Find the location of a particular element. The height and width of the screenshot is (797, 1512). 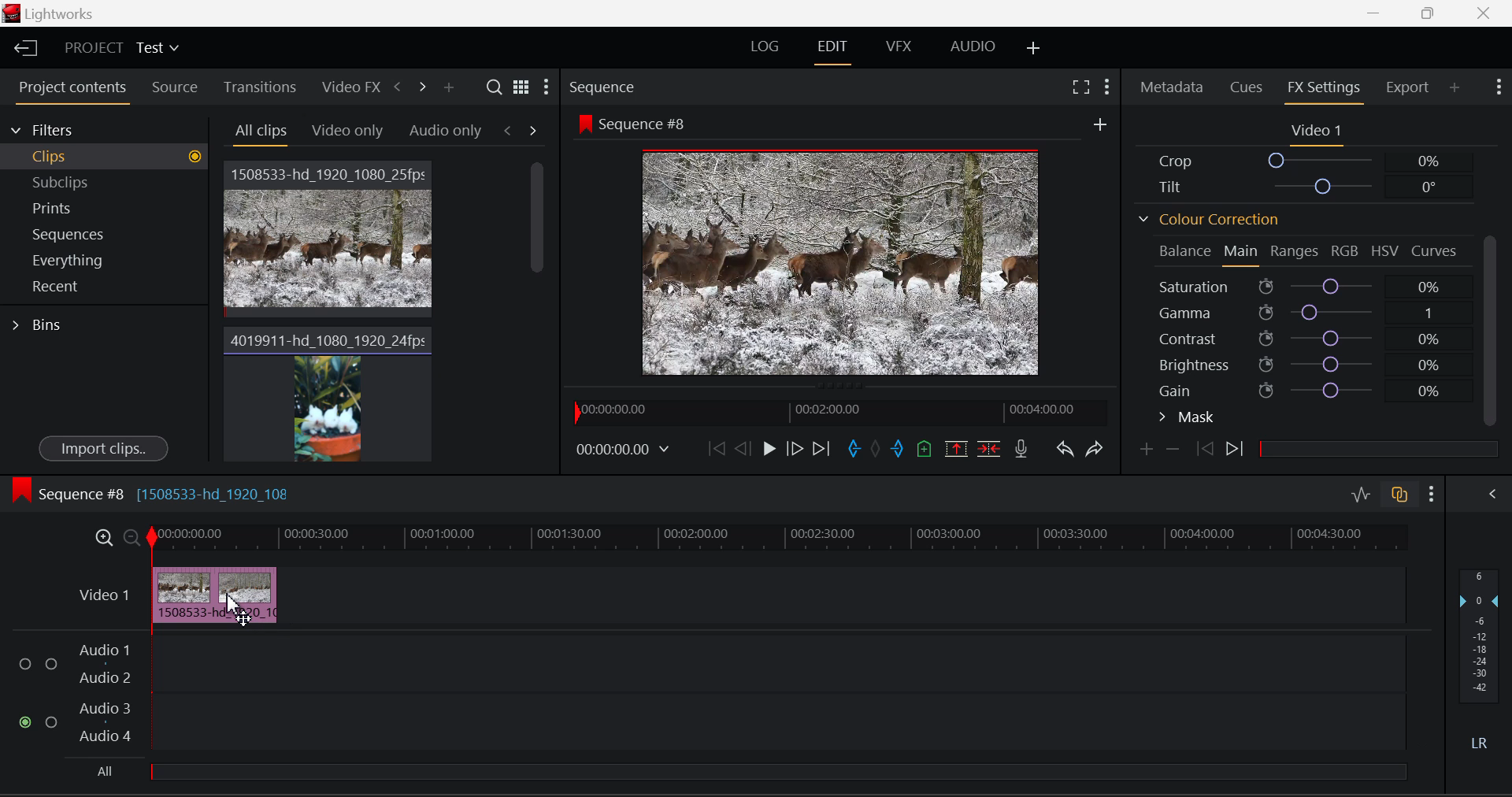

Restore Down is located at coordinates (1376, 13).